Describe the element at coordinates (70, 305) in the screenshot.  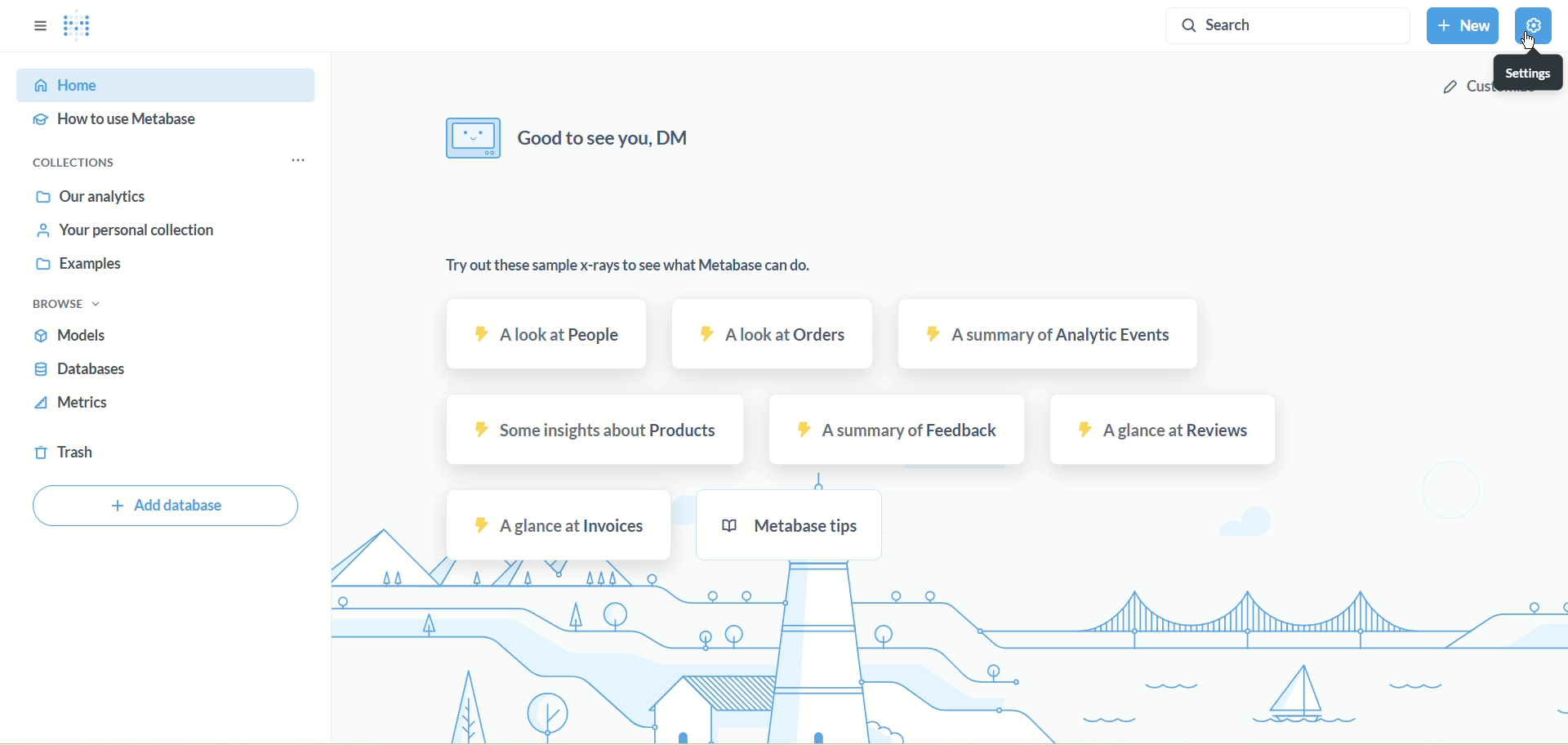
I see `browse` at that location.